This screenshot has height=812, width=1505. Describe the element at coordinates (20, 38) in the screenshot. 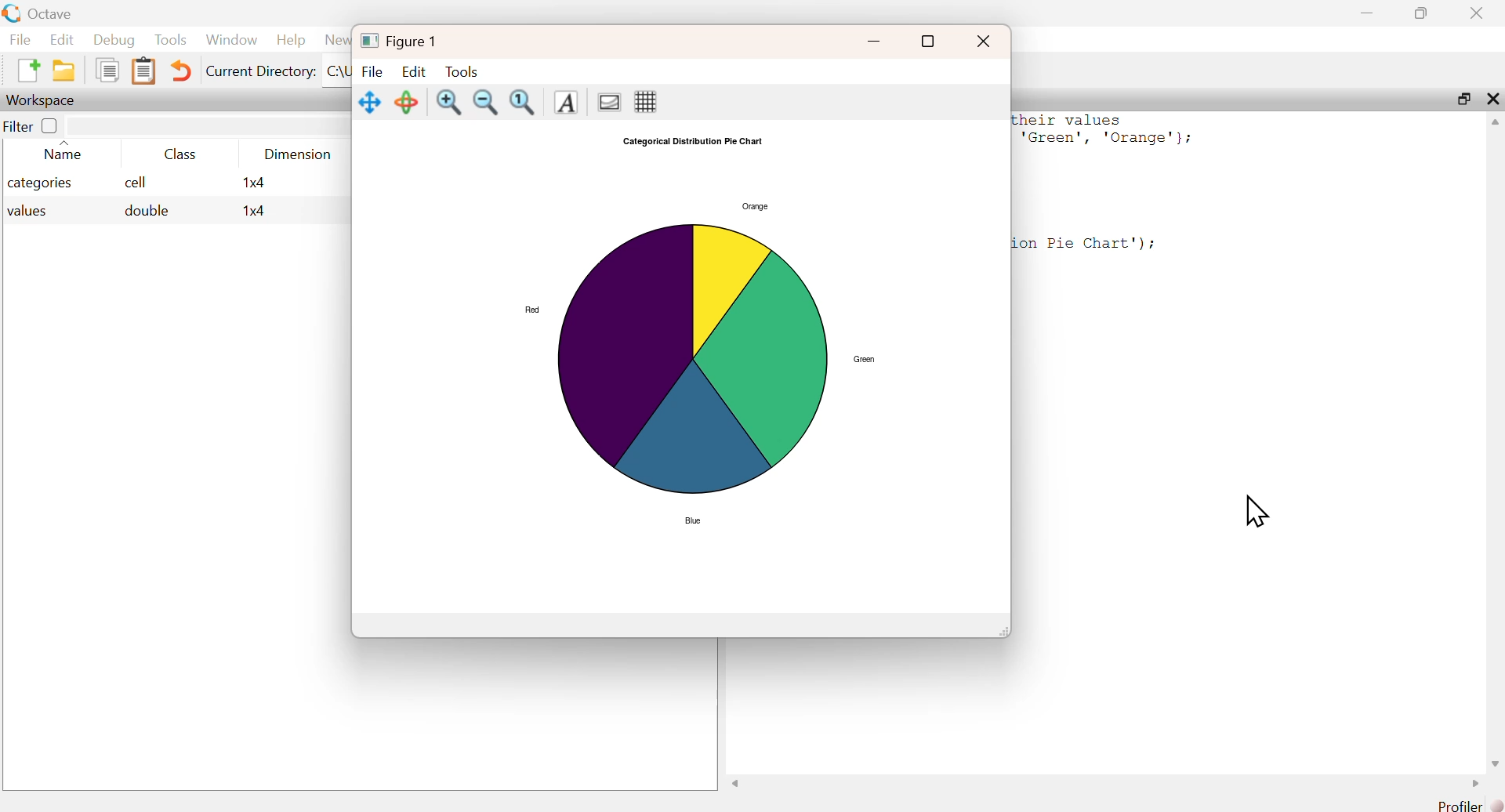

I see `File` at that location.